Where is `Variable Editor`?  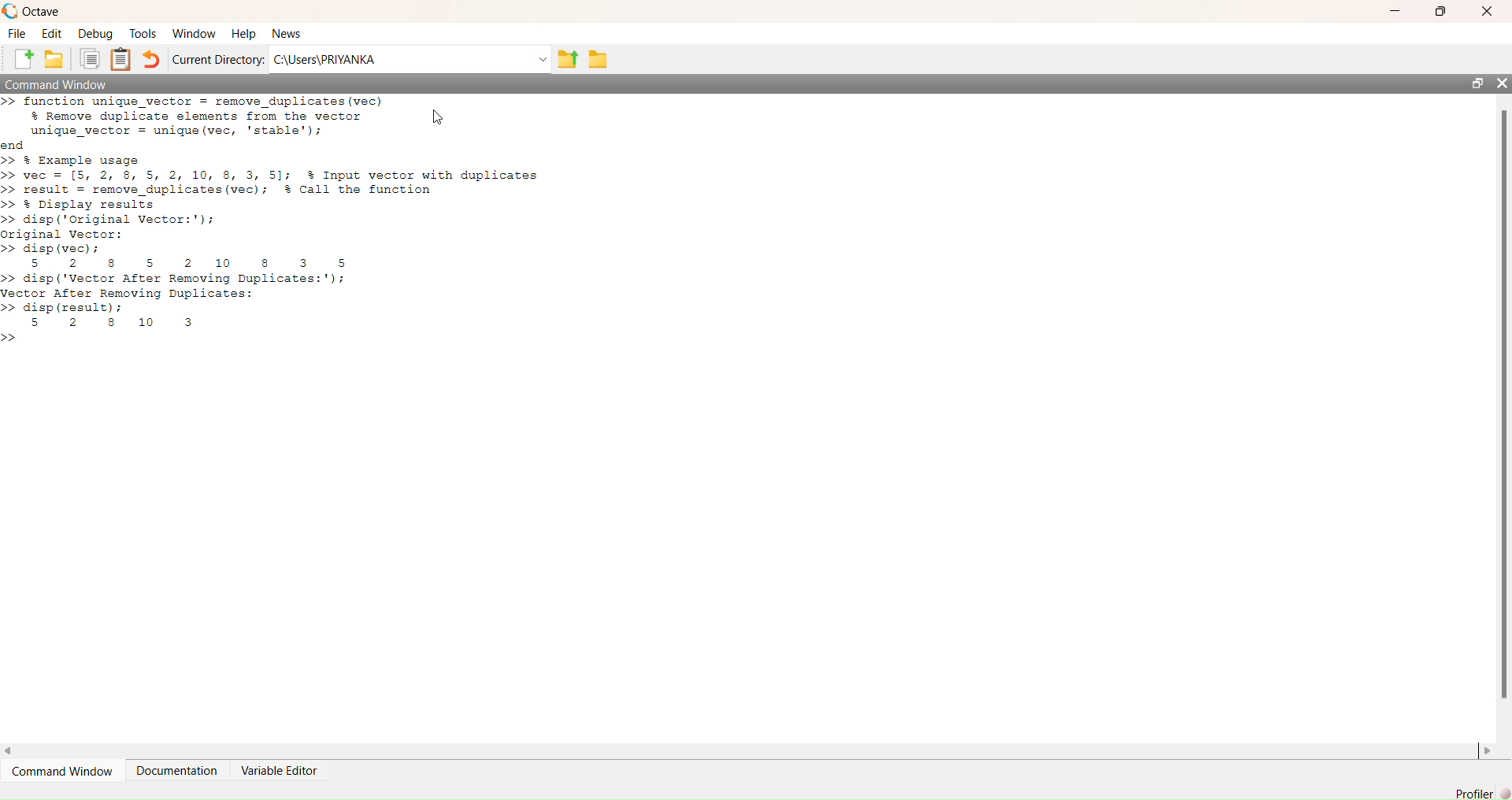
Variable Editor is located at coordinates (279, 771).